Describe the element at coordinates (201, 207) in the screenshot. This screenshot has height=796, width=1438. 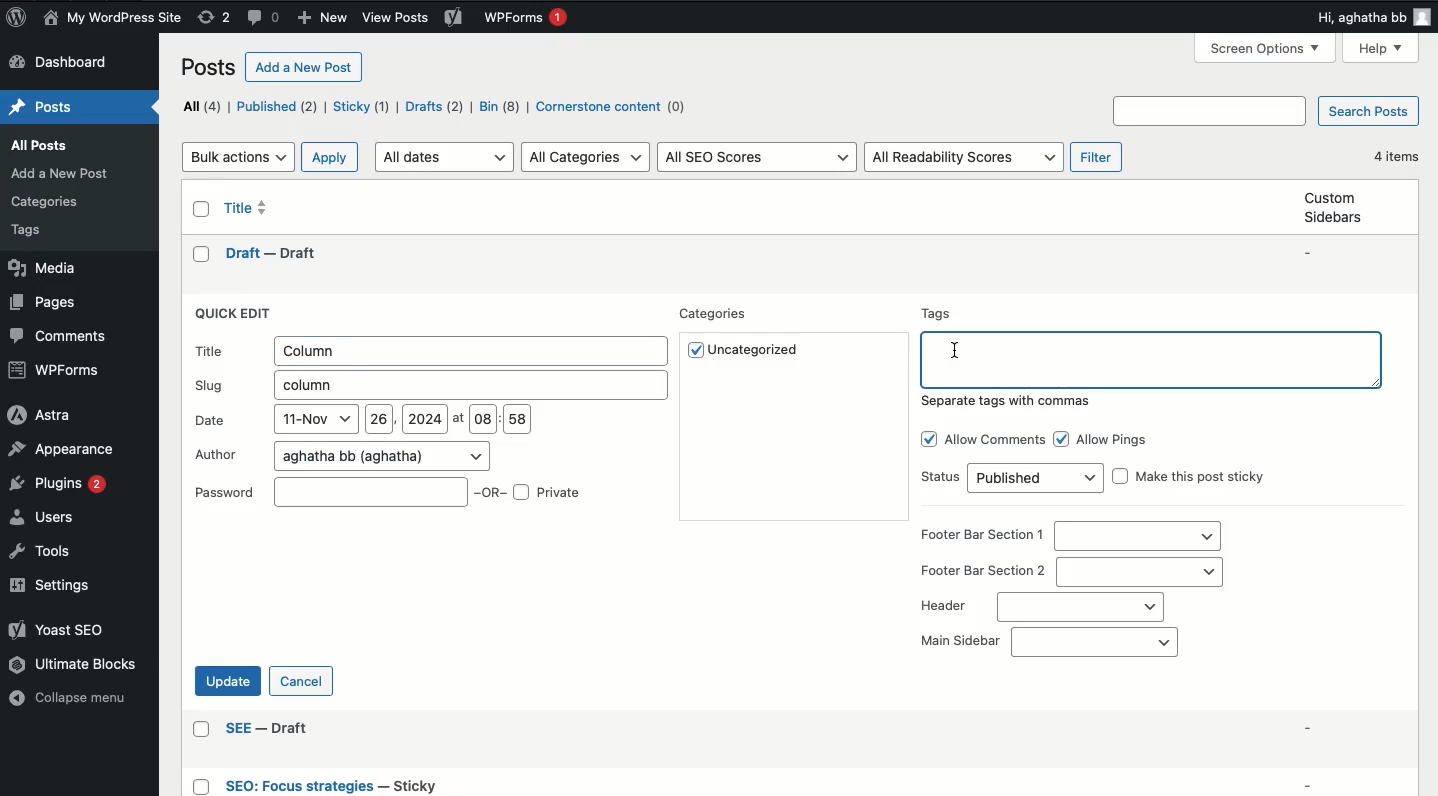
I see `Checkbox` at that location.